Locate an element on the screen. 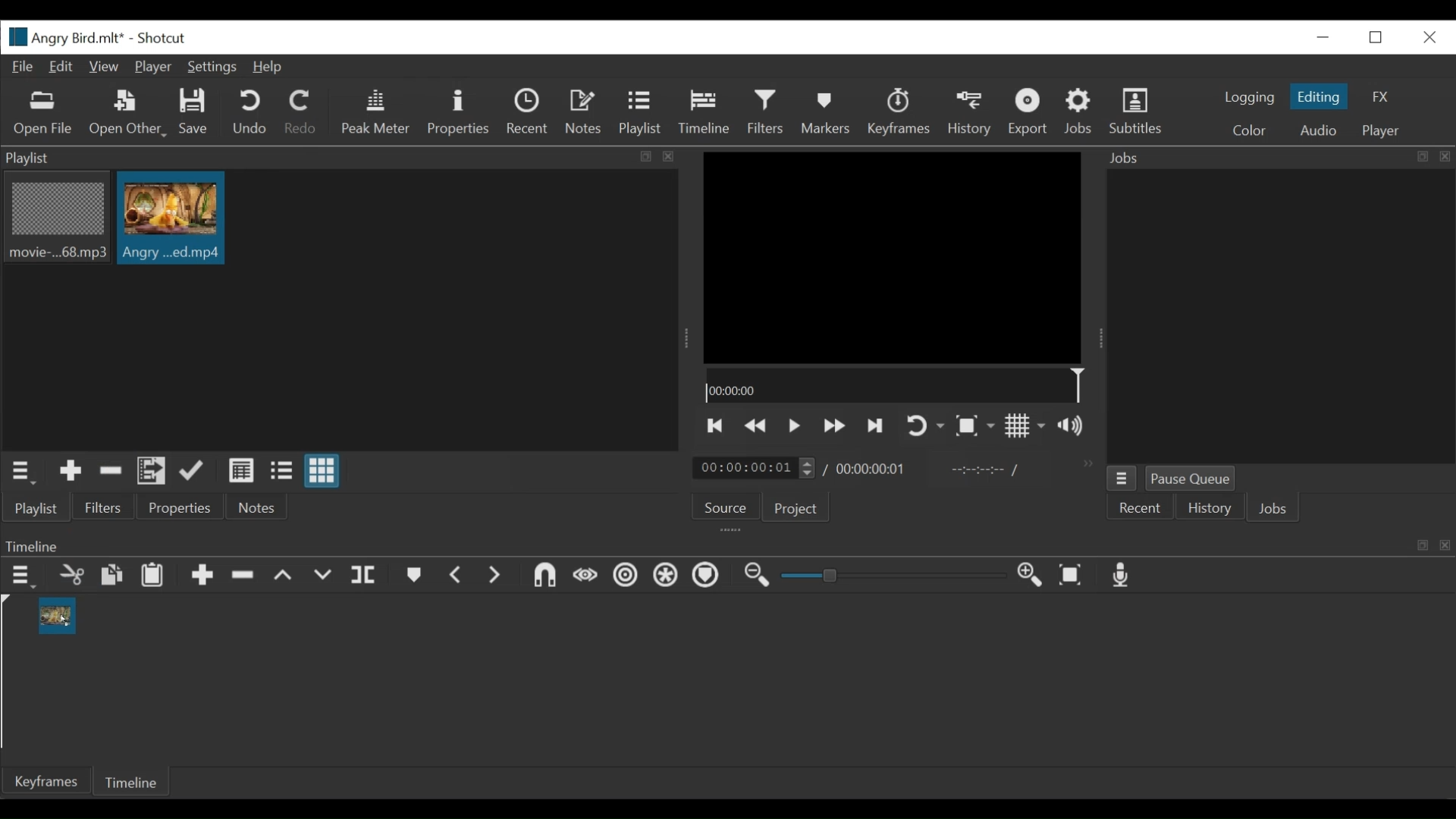 Image resolution: width=1456 pixels, height=819 pixels. Current Duration is located at coordinates (755, 467).